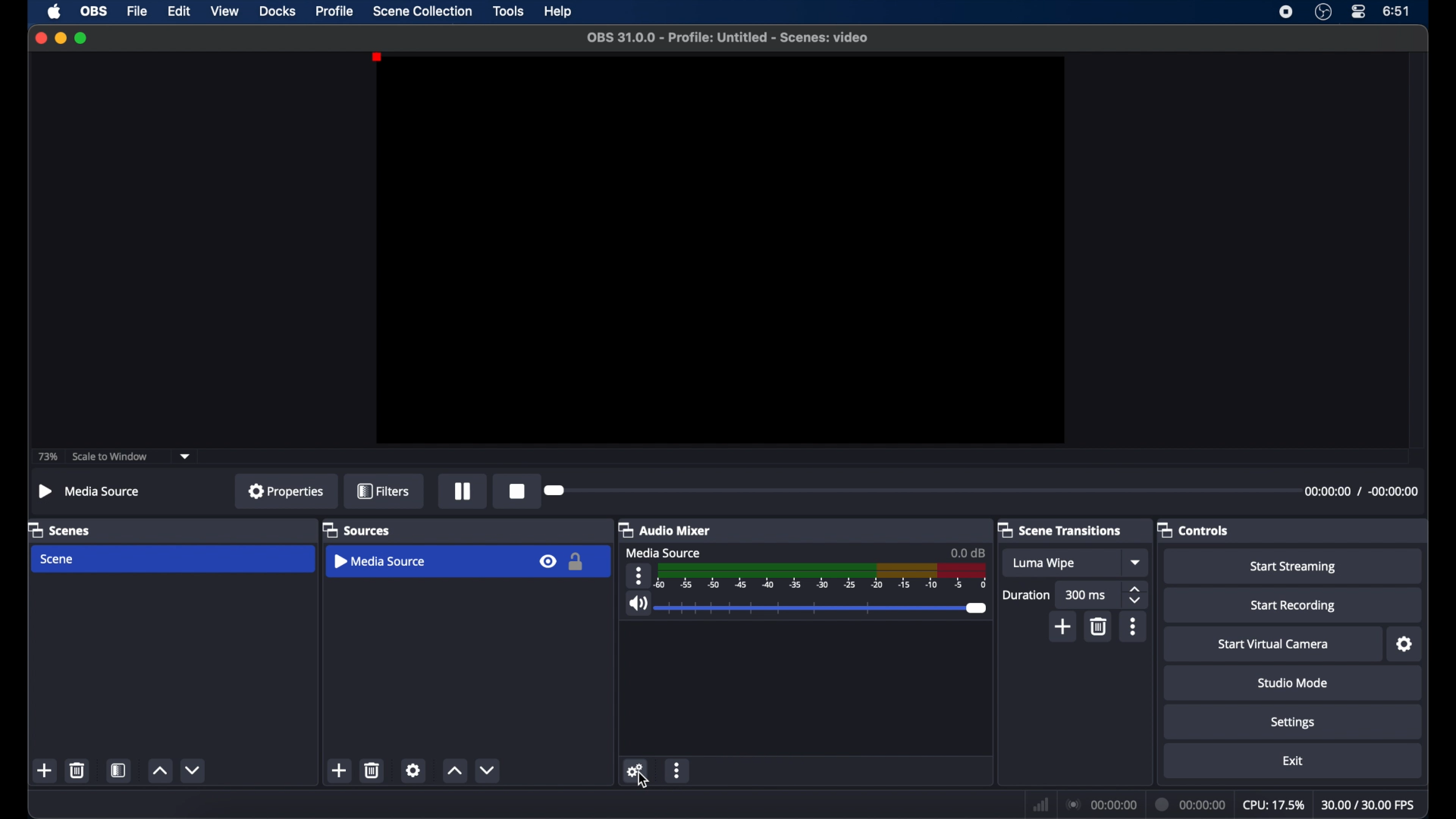  Describe the element at coordinates (637, 604) in the screenshot. I see `volume` at that location.